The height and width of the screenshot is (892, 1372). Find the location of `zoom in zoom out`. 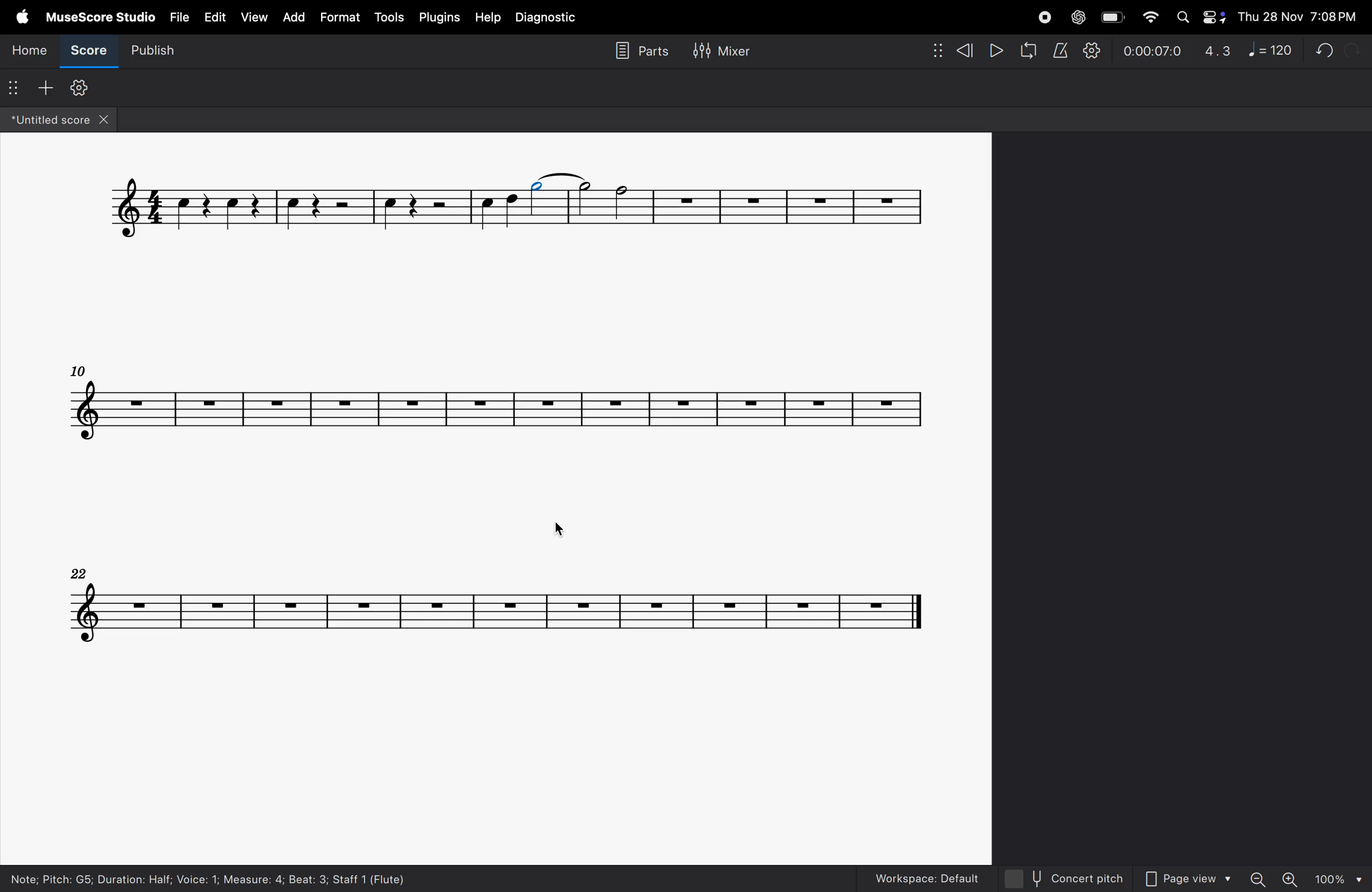

zoom in zoom out is located at coordinates (1273, 878).